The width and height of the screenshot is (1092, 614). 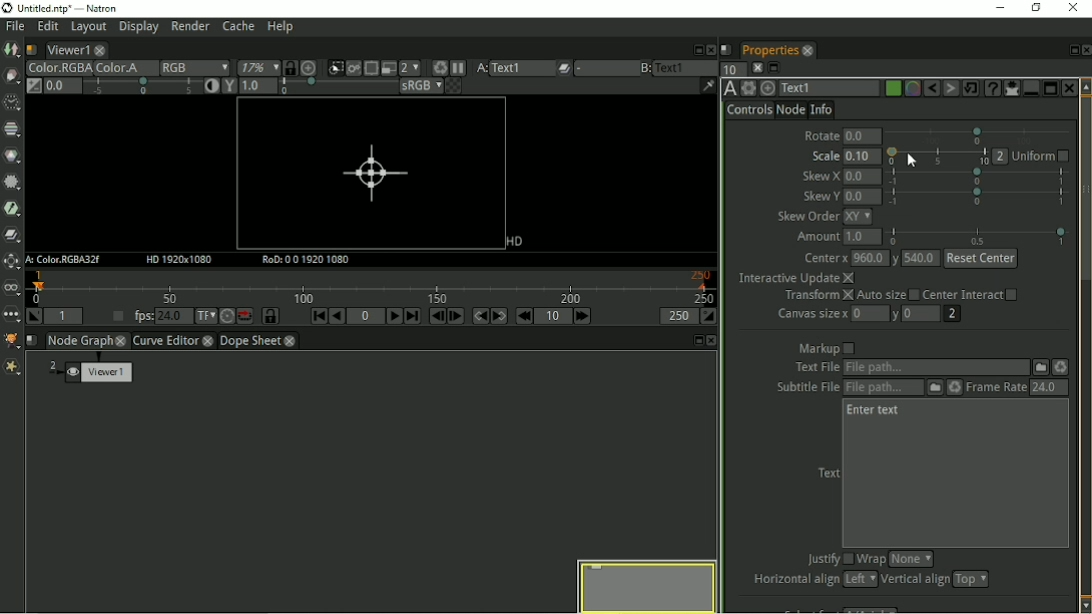 What do you see at coordinates (694, 49) in the screenshot?
I see `Float pane` at bounding box center [694, 49].